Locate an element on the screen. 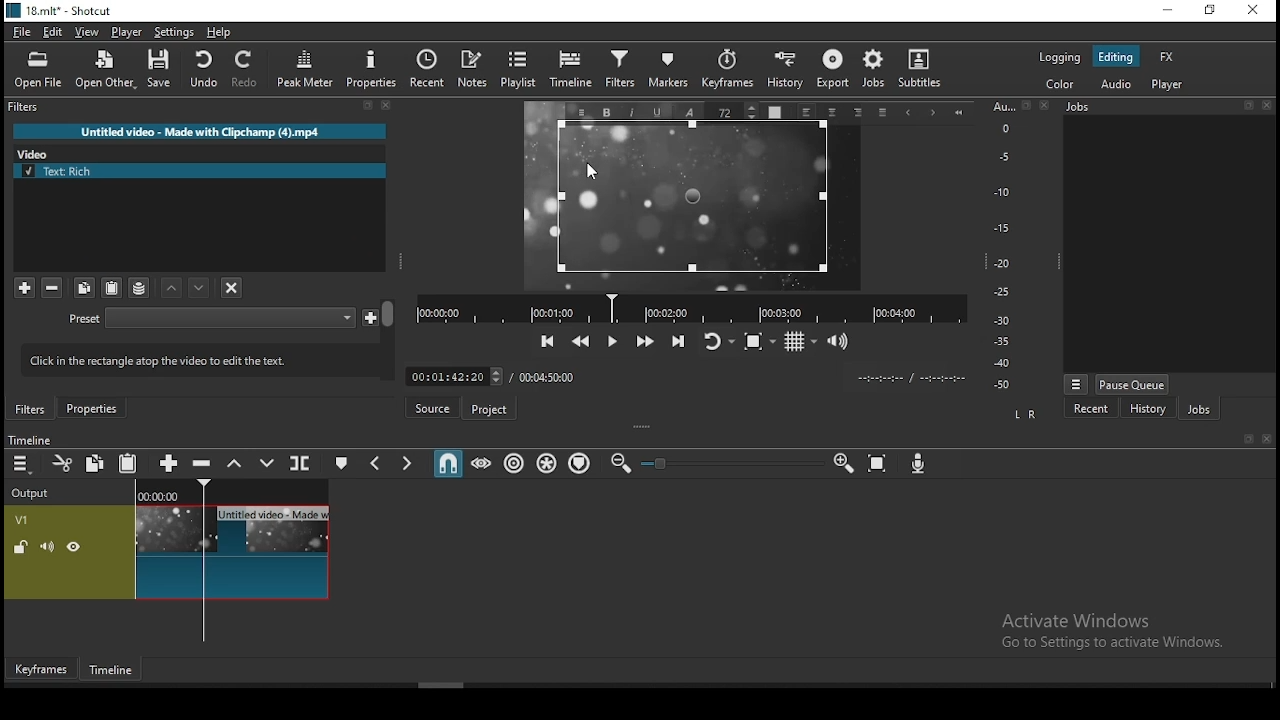 This screenshot has width=1280, height=720. previous marker is located at coordinates (378, 461).